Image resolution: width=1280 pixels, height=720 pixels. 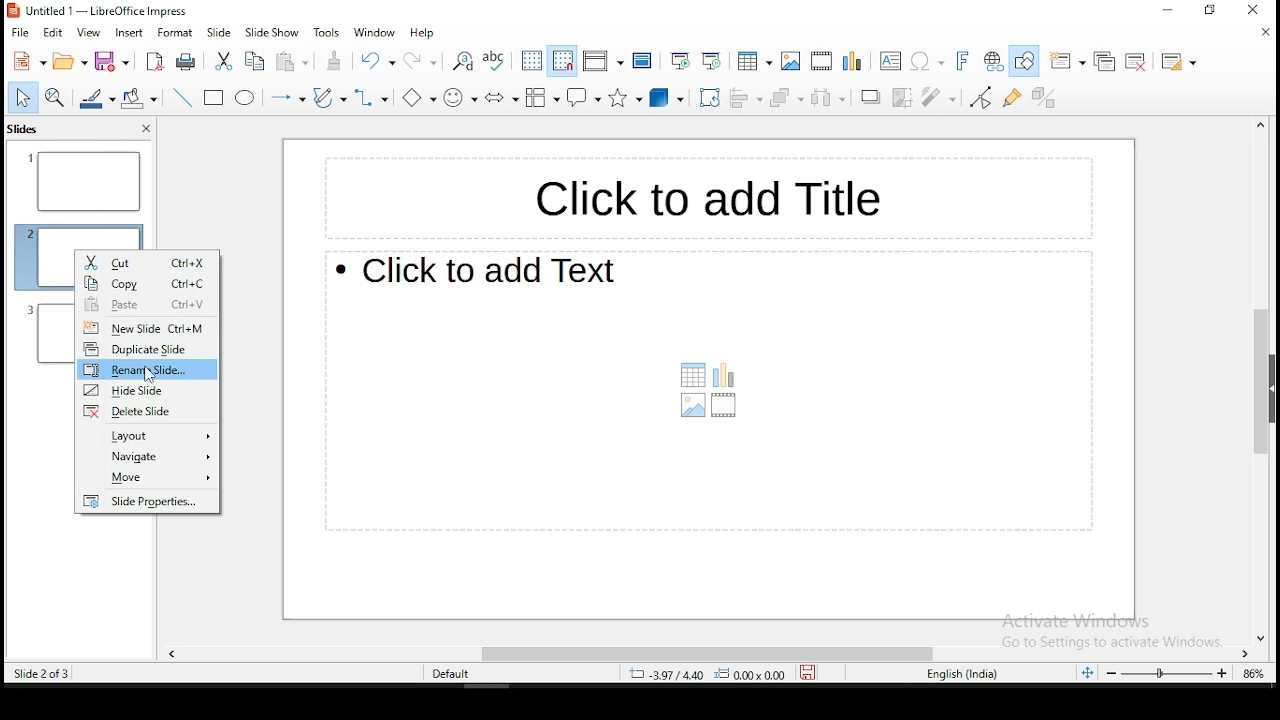 What do you see at coordinates (420, 33) in the screenshot?
I see `help` at bounding box center [420, 33].